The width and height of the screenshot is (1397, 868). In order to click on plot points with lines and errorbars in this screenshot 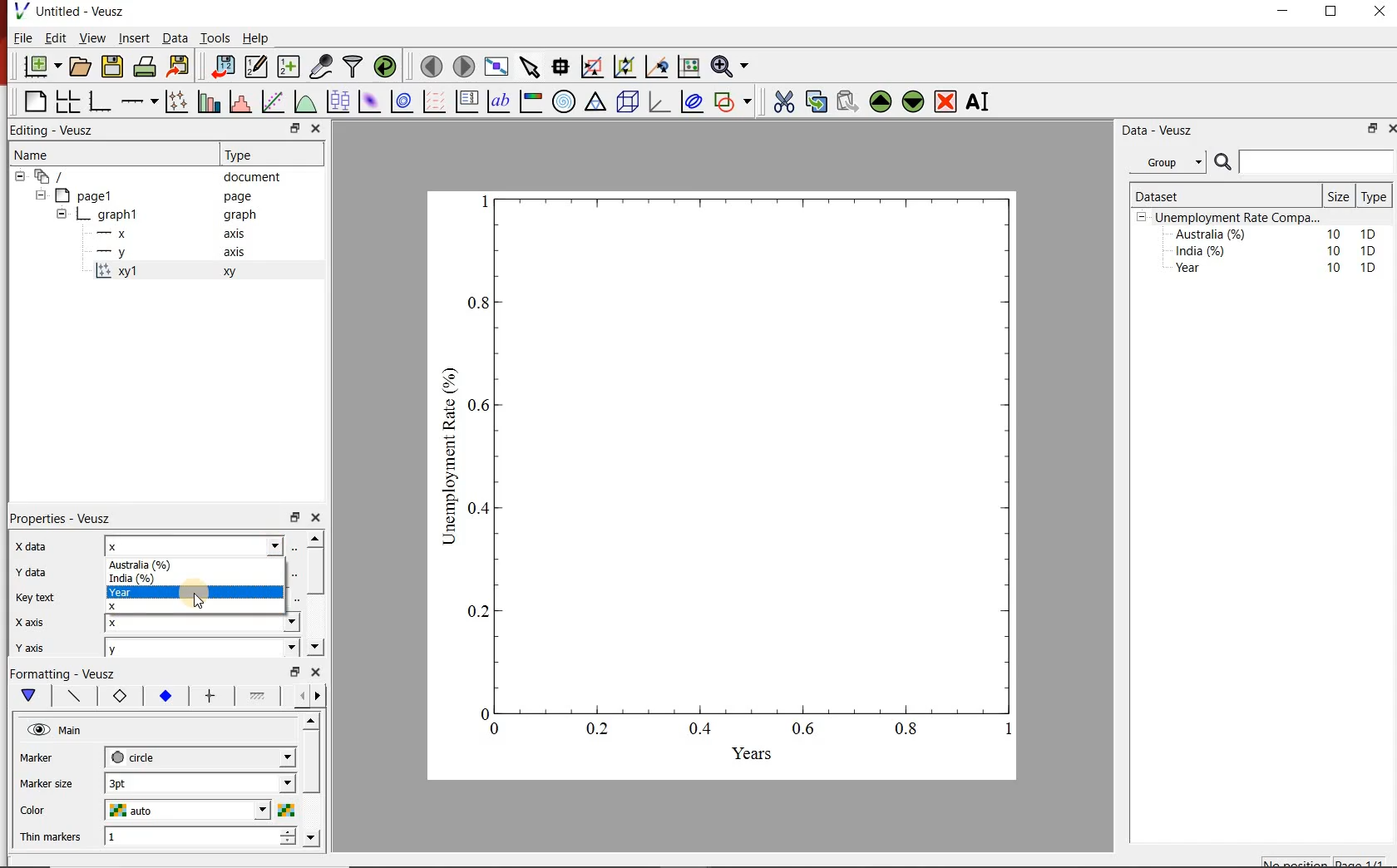, I will do `click(176, 101)`.